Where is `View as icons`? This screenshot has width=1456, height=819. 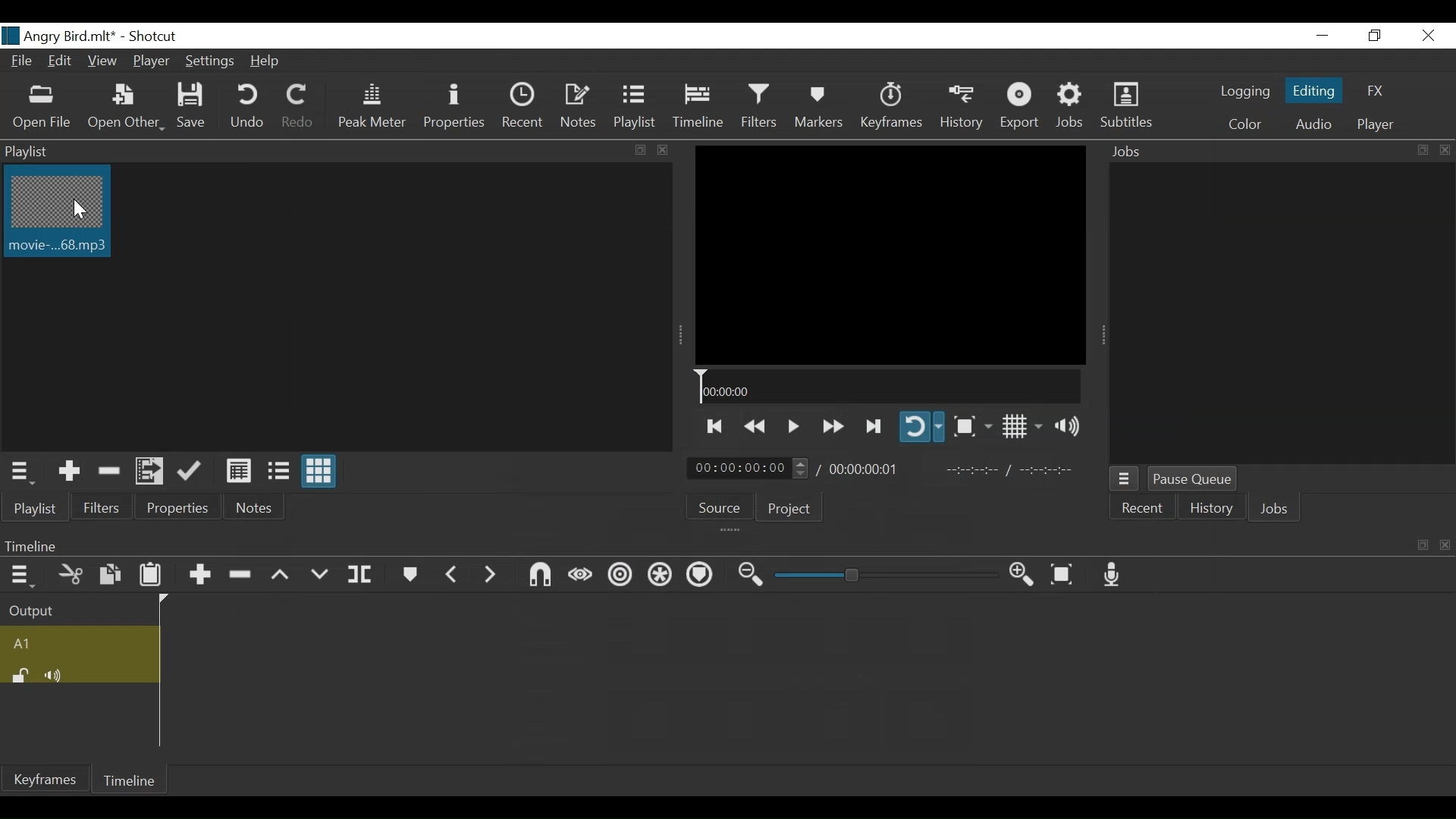 View as icons is located at coordinates (318, 471).